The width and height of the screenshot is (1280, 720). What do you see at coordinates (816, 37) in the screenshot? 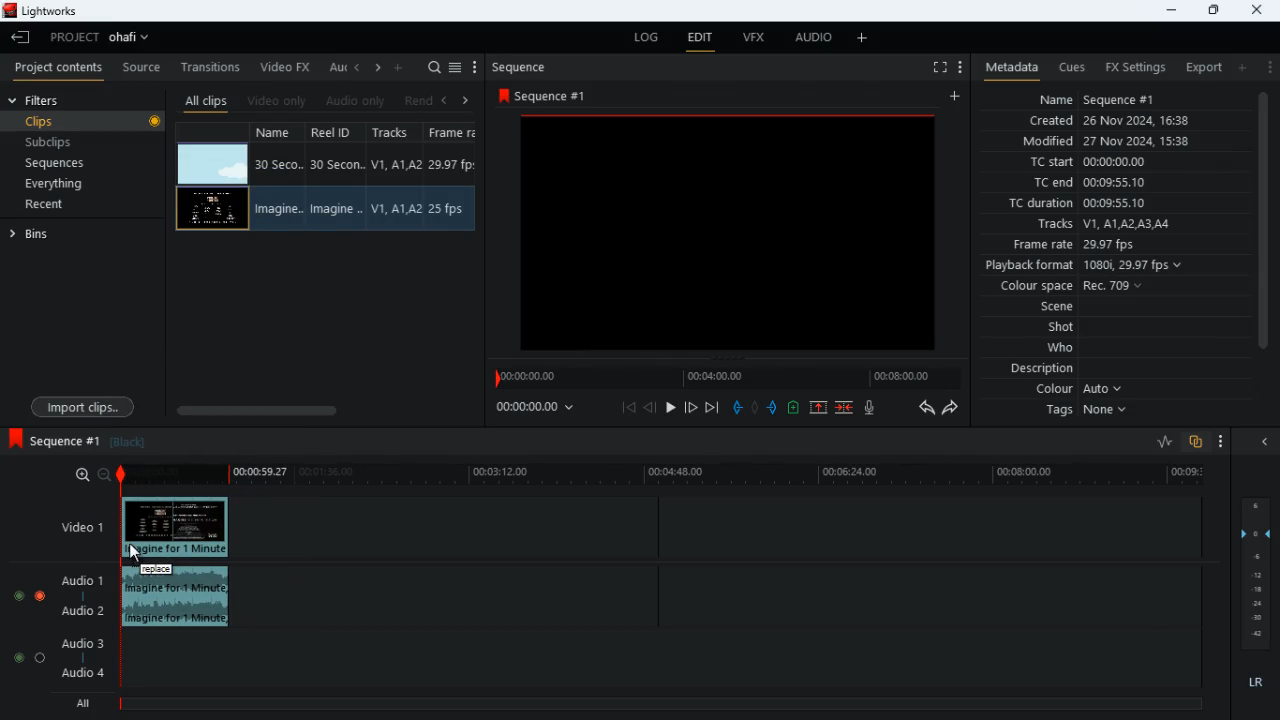
I see `audio` at bounding box center [816, 37].